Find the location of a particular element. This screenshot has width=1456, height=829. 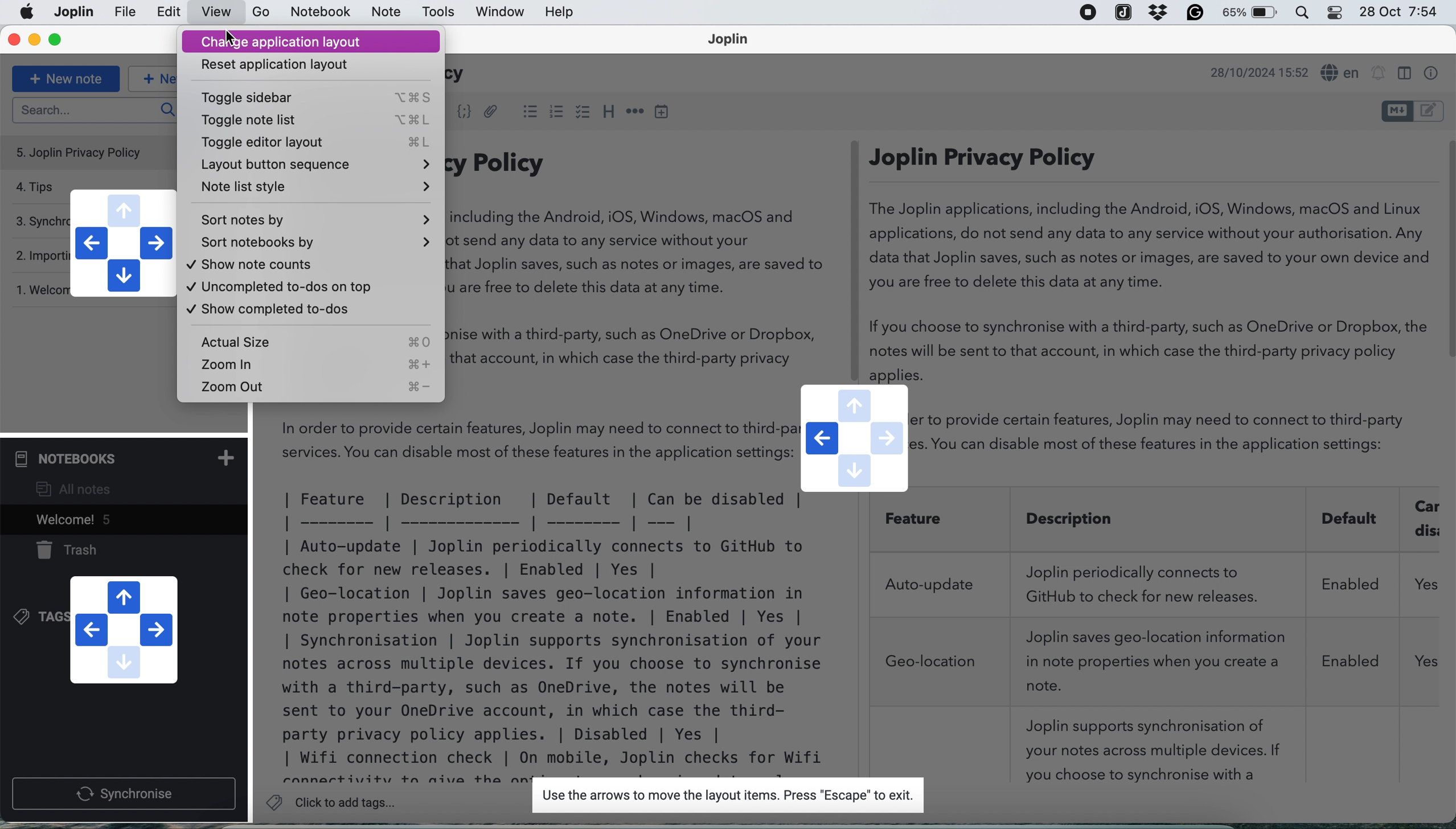

help is located at coordinates (561, 13).